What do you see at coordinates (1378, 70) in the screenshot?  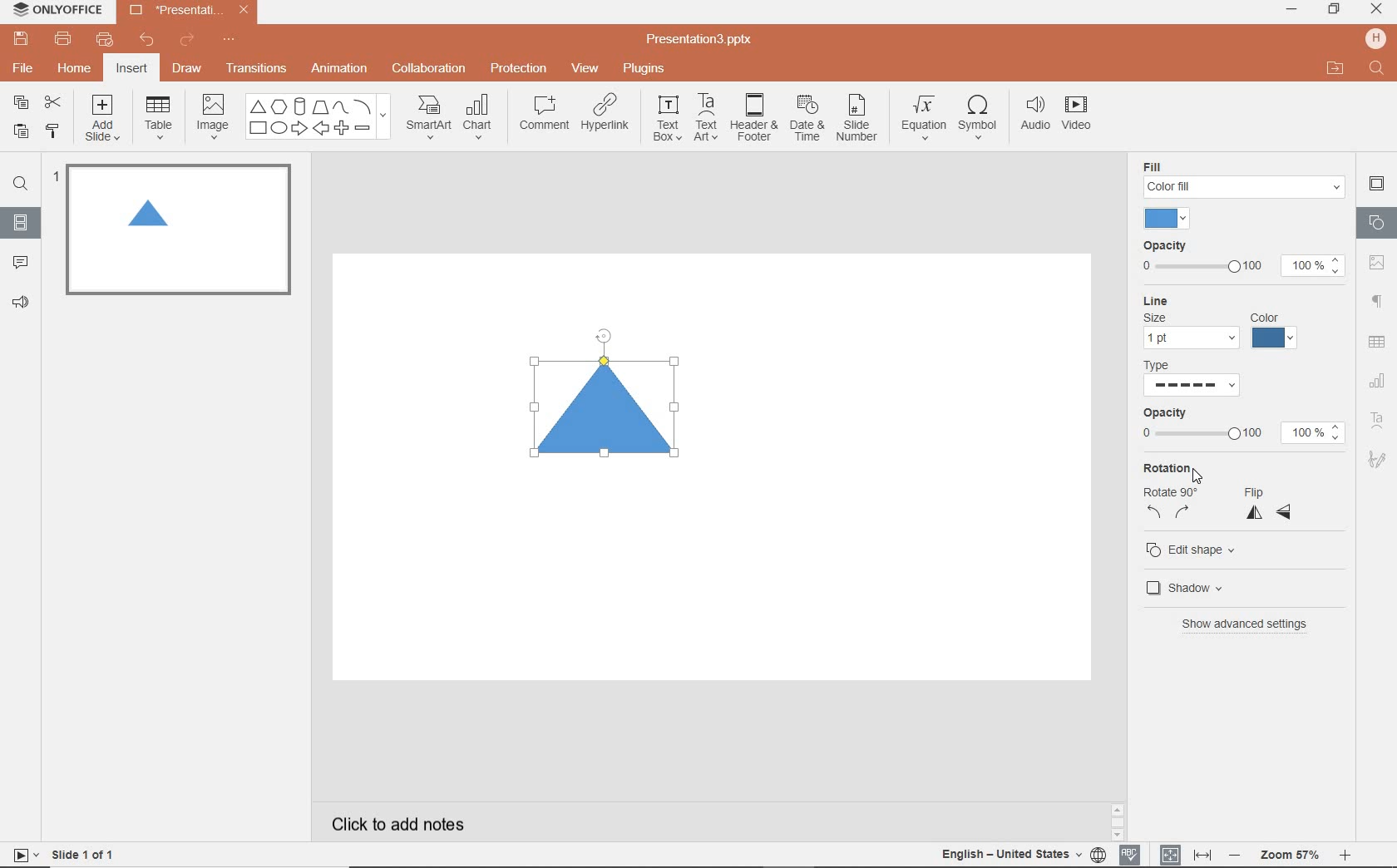 I see `FIND` at bounding box center [1378, 70].